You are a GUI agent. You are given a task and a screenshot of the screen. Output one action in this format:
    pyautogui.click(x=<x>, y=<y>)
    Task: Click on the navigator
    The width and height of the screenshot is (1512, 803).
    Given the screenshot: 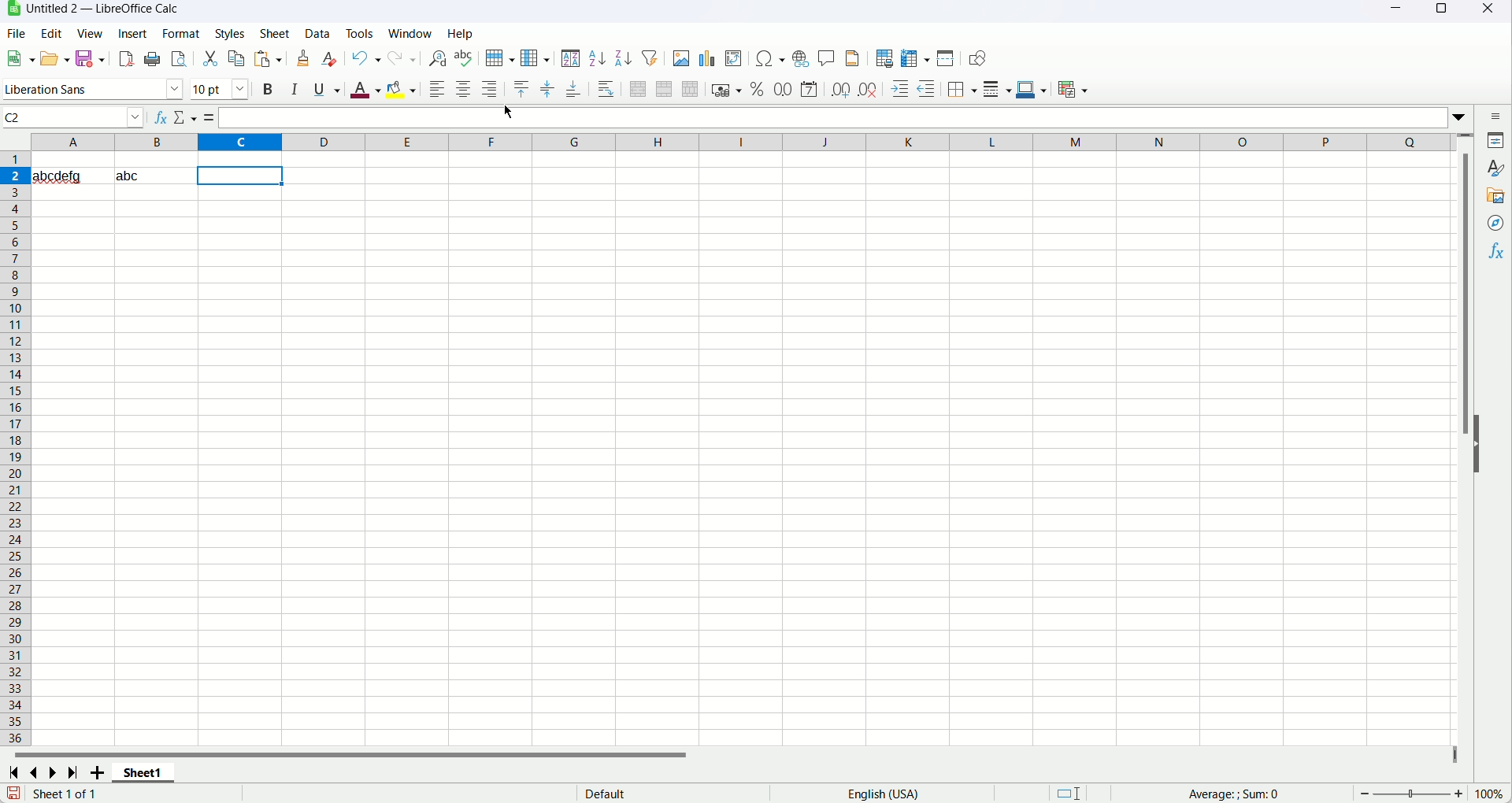 What is the action you would take?
    pyautogui.click(x=1496, y=224)
    